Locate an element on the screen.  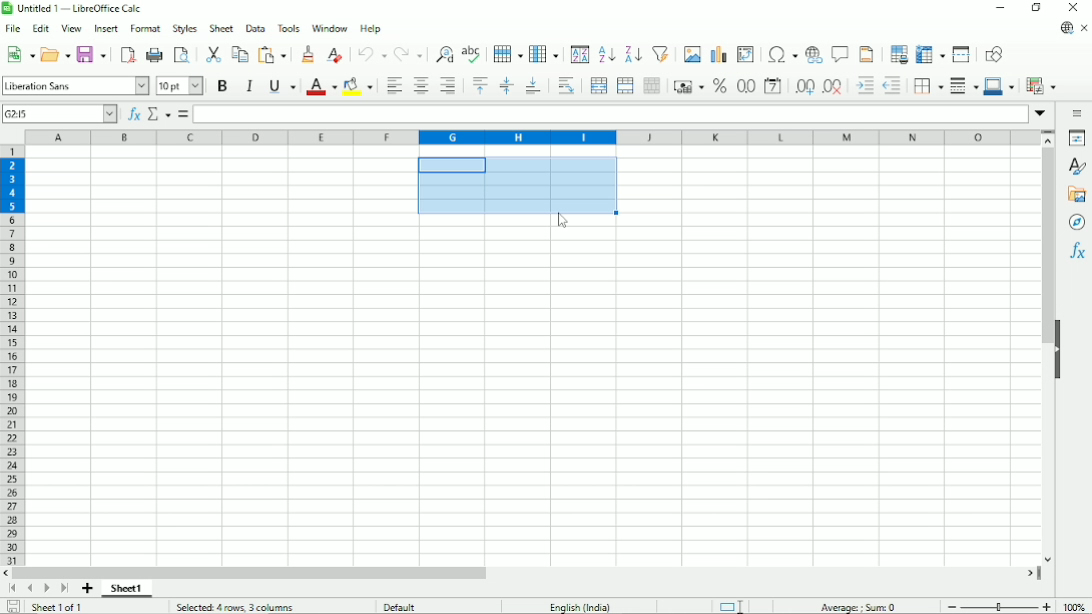
Window is located at coordinates (330, 29).